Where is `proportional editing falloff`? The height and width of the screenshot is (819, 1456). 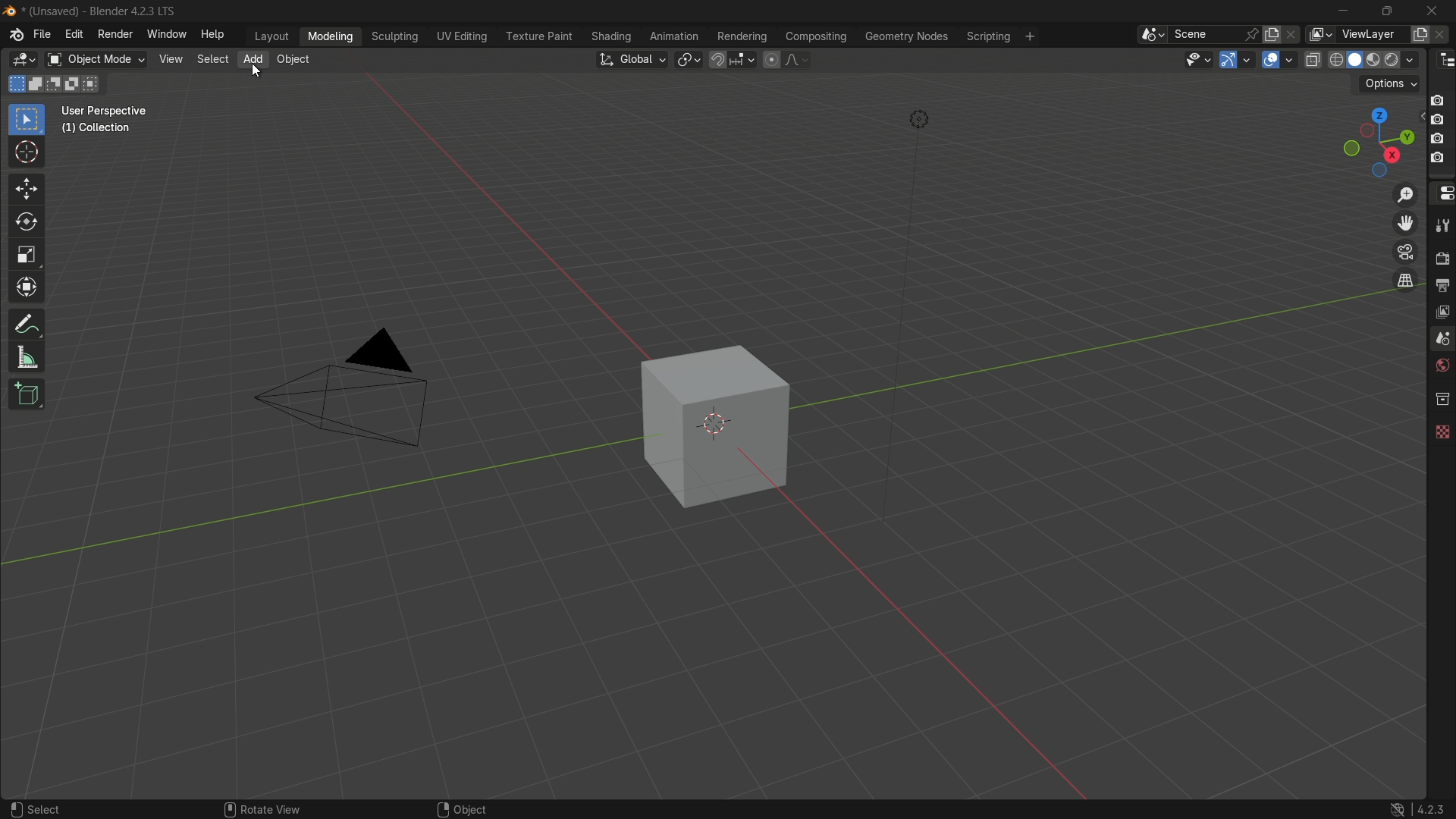 proportional editing falloff is located at coordinates (797, 59).